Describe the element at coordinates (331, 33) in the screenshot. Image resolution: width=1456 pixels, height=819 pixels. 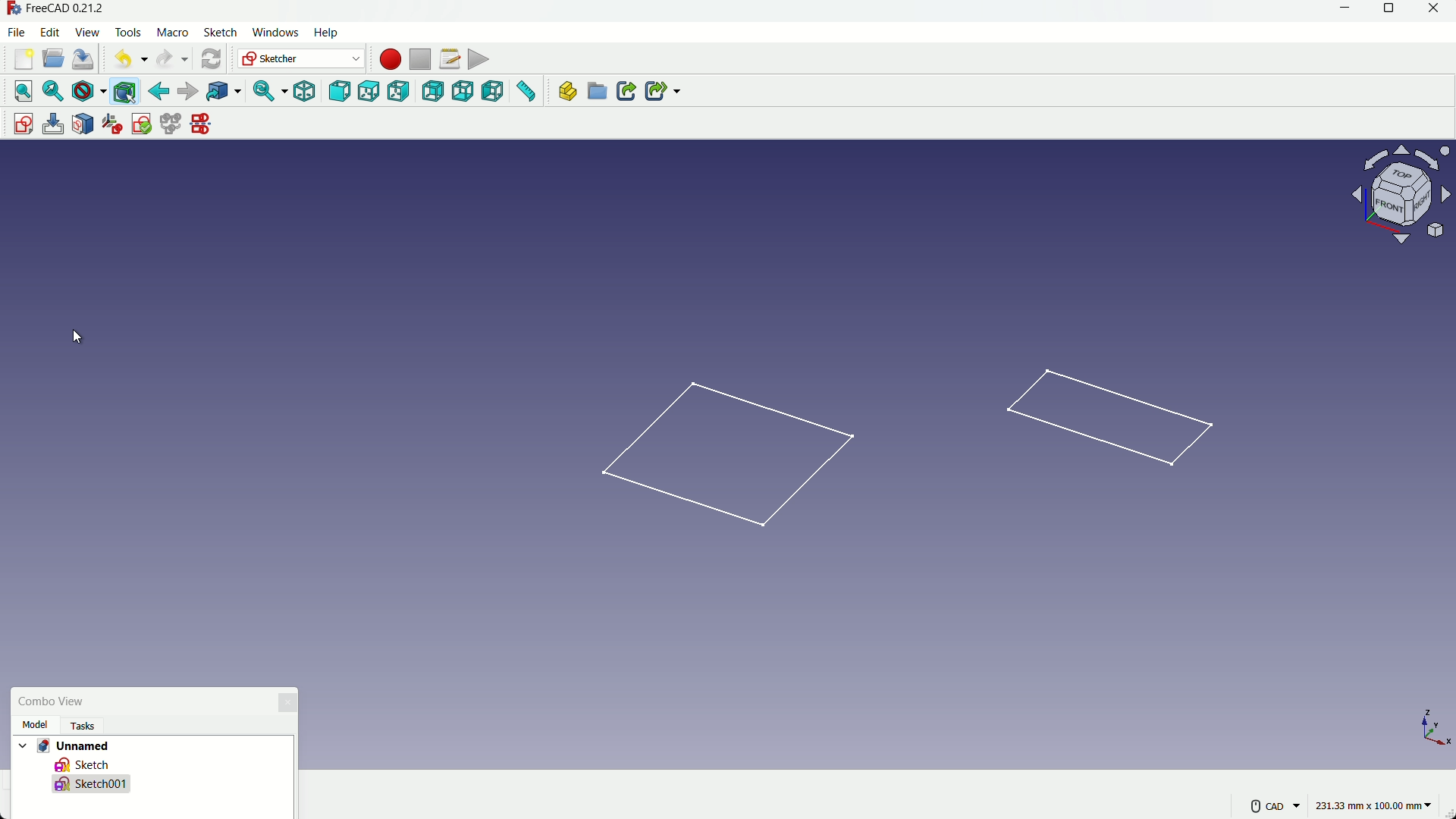
I see `help menu` at that location.